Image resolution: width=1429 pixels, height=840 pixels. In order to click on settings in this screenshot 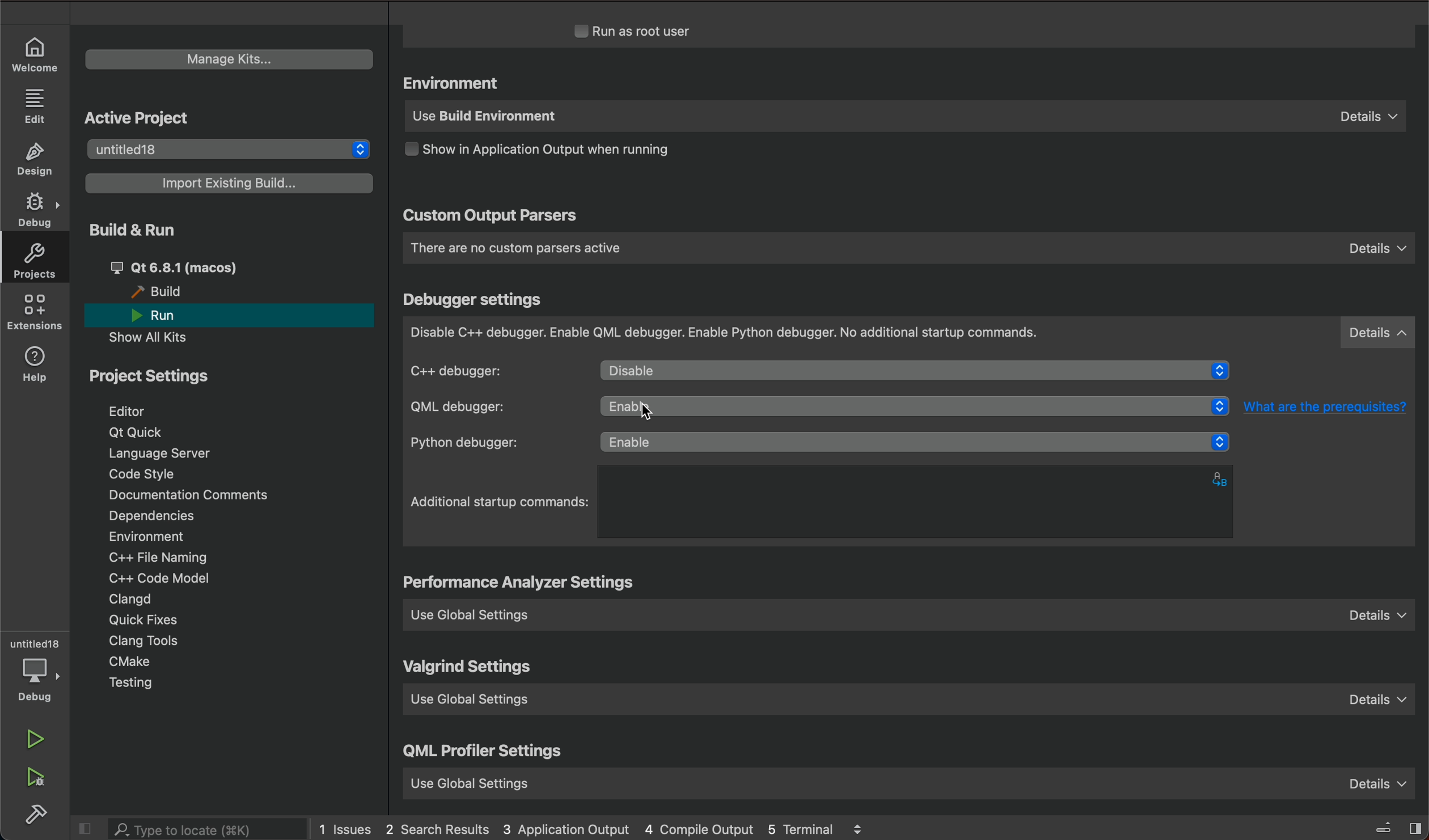, I will do `click(523, 584)`.